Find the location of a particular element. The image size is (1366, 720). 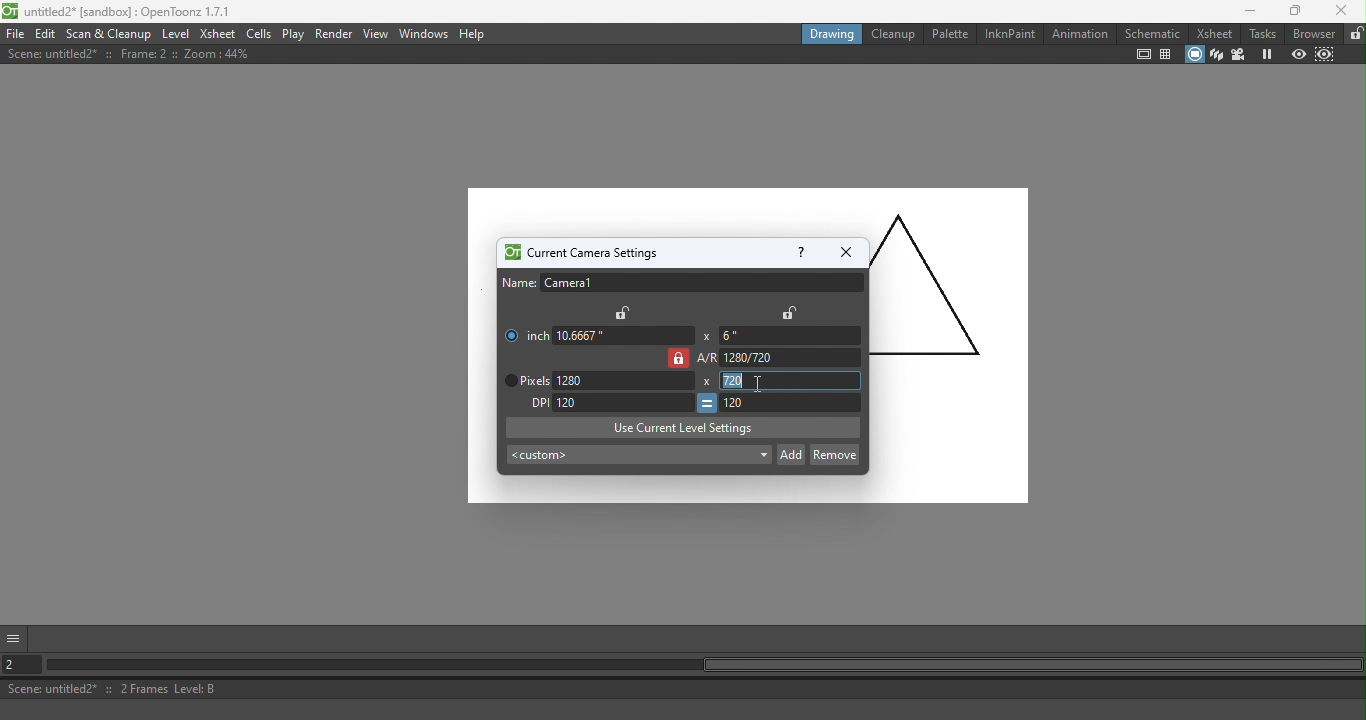

Force squared pixel is located at coordinates (706, 403).